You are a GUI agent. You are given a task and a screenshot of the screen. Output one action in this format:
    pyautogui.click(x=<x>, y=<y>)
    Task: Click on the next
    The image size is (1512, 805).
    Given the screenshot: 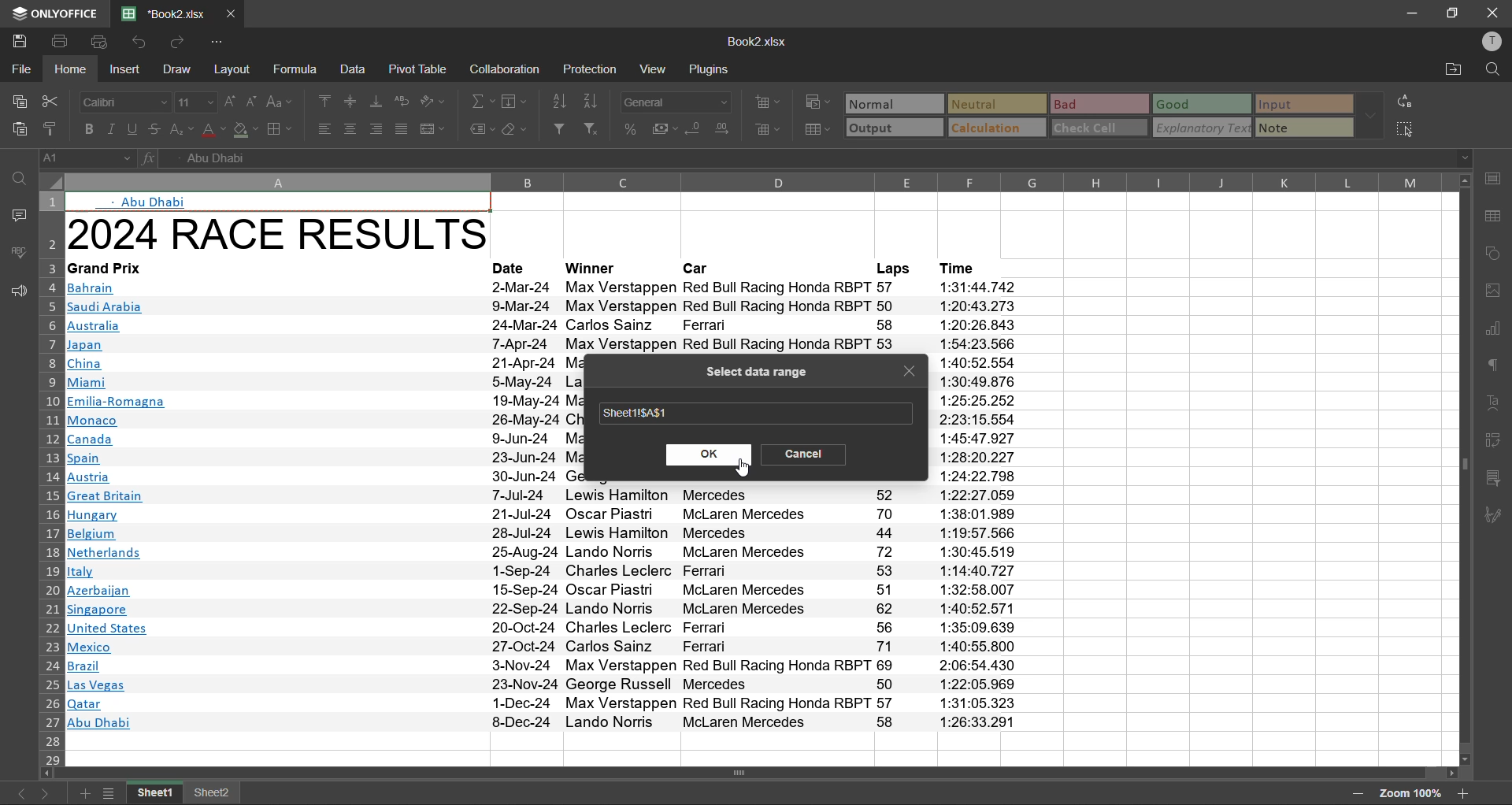 What is the action you would take?
    pyautogui.click(x=43, y=793)
    